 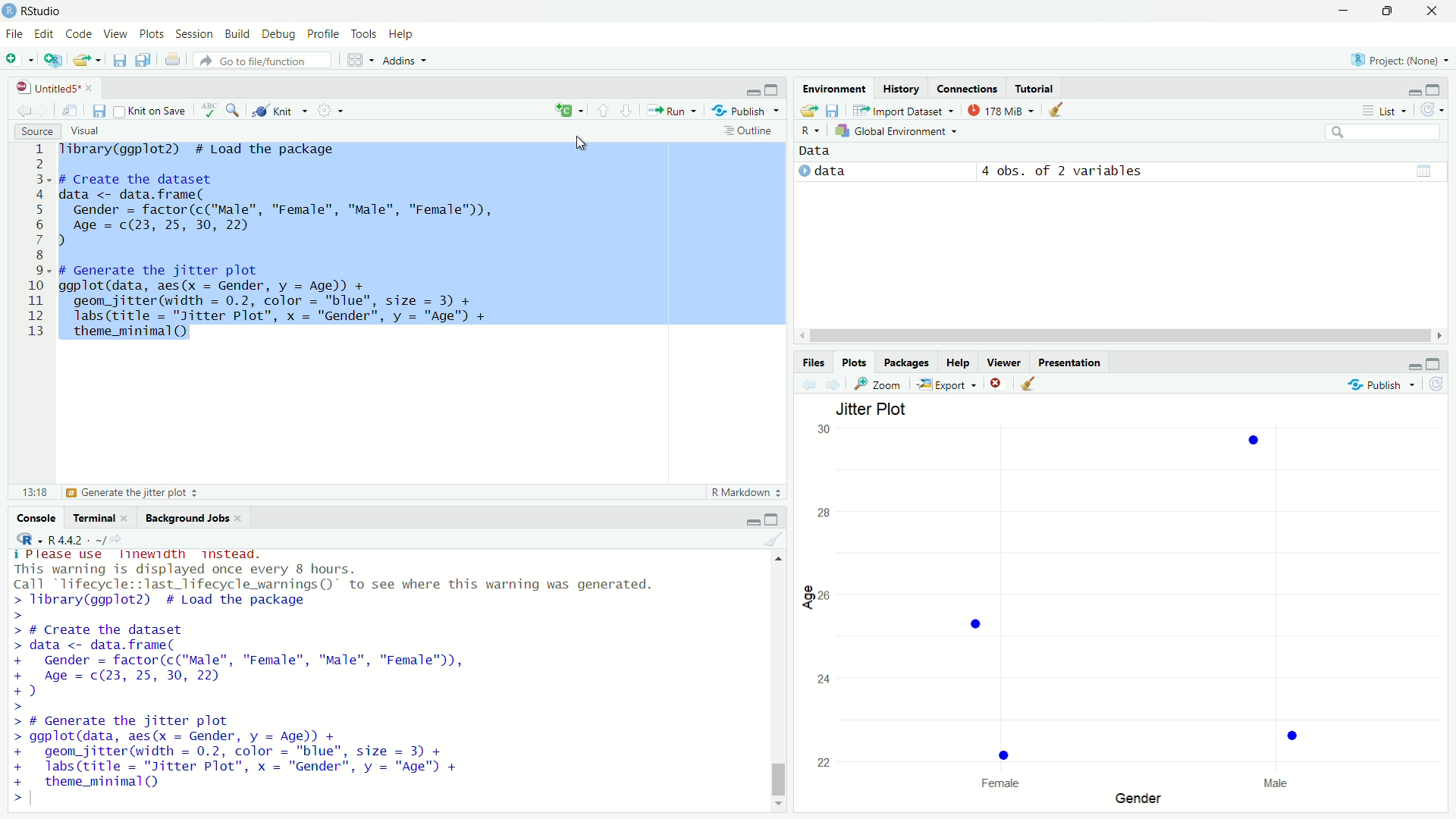 I want to click on empty plot area, so click(x=1122, y=607).